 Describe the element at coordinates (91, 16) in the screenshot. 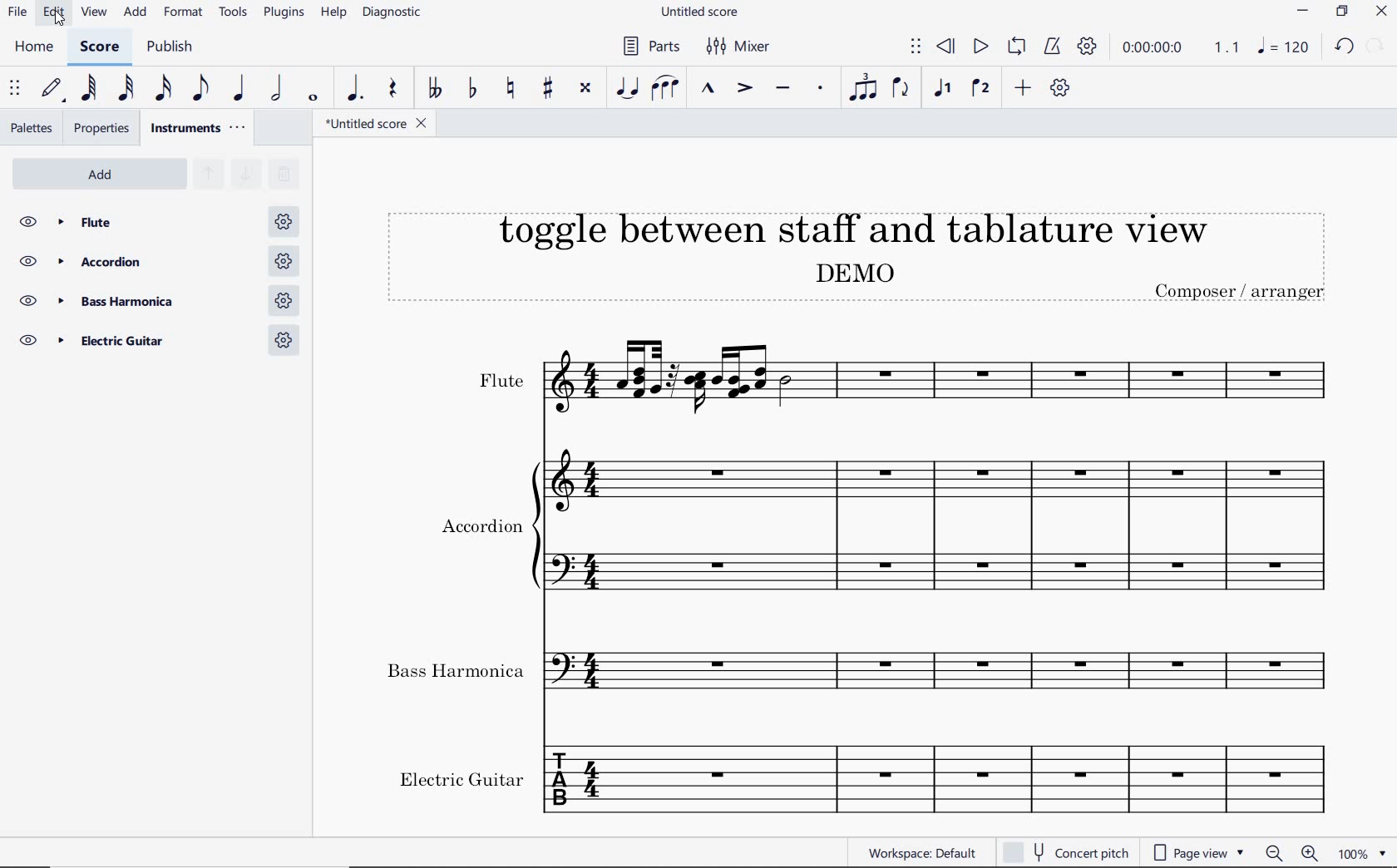

I see `view` at that location.